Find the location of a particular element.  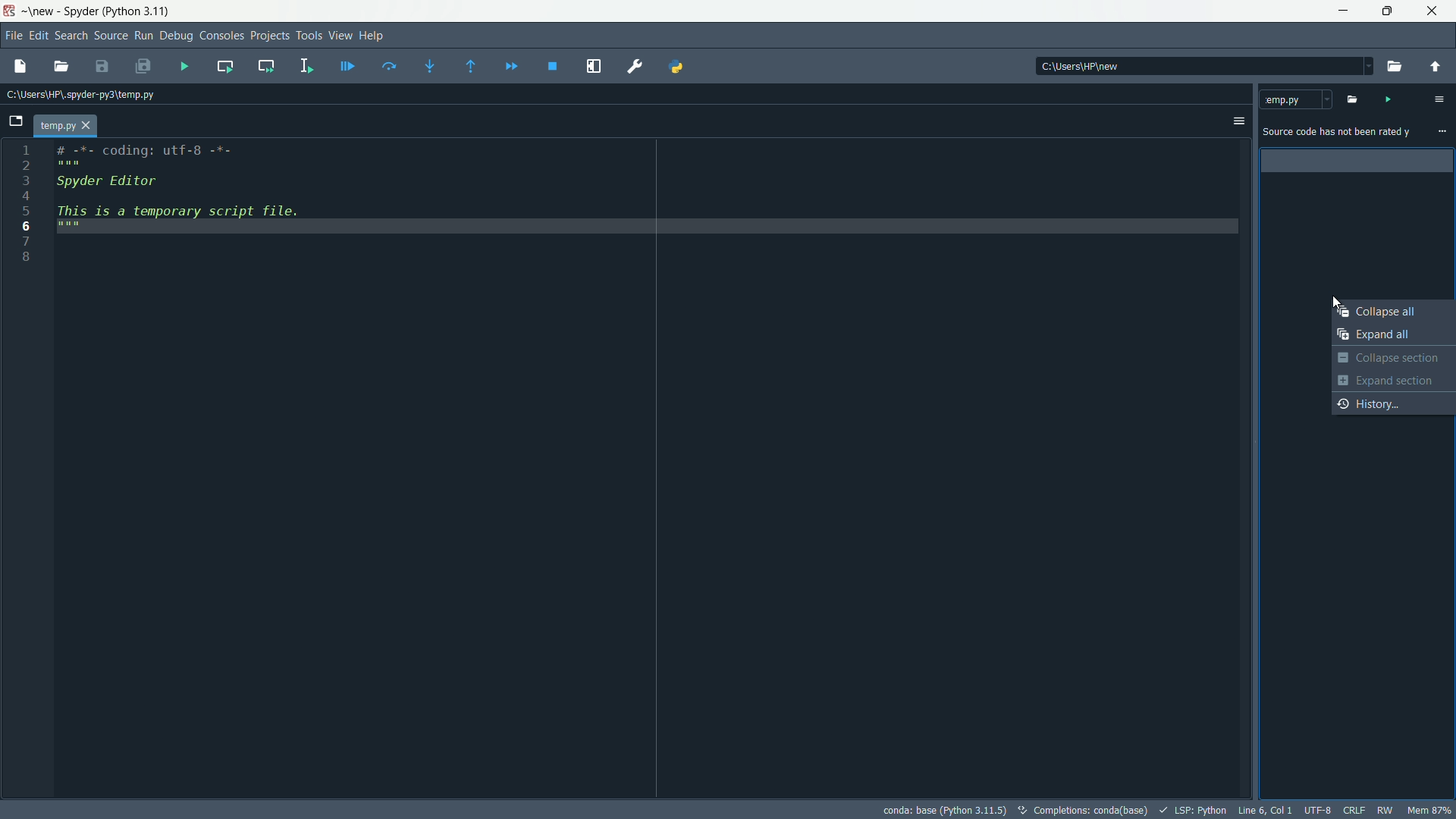

continue execution until next breakpoint is located at coordinates (512, 67).